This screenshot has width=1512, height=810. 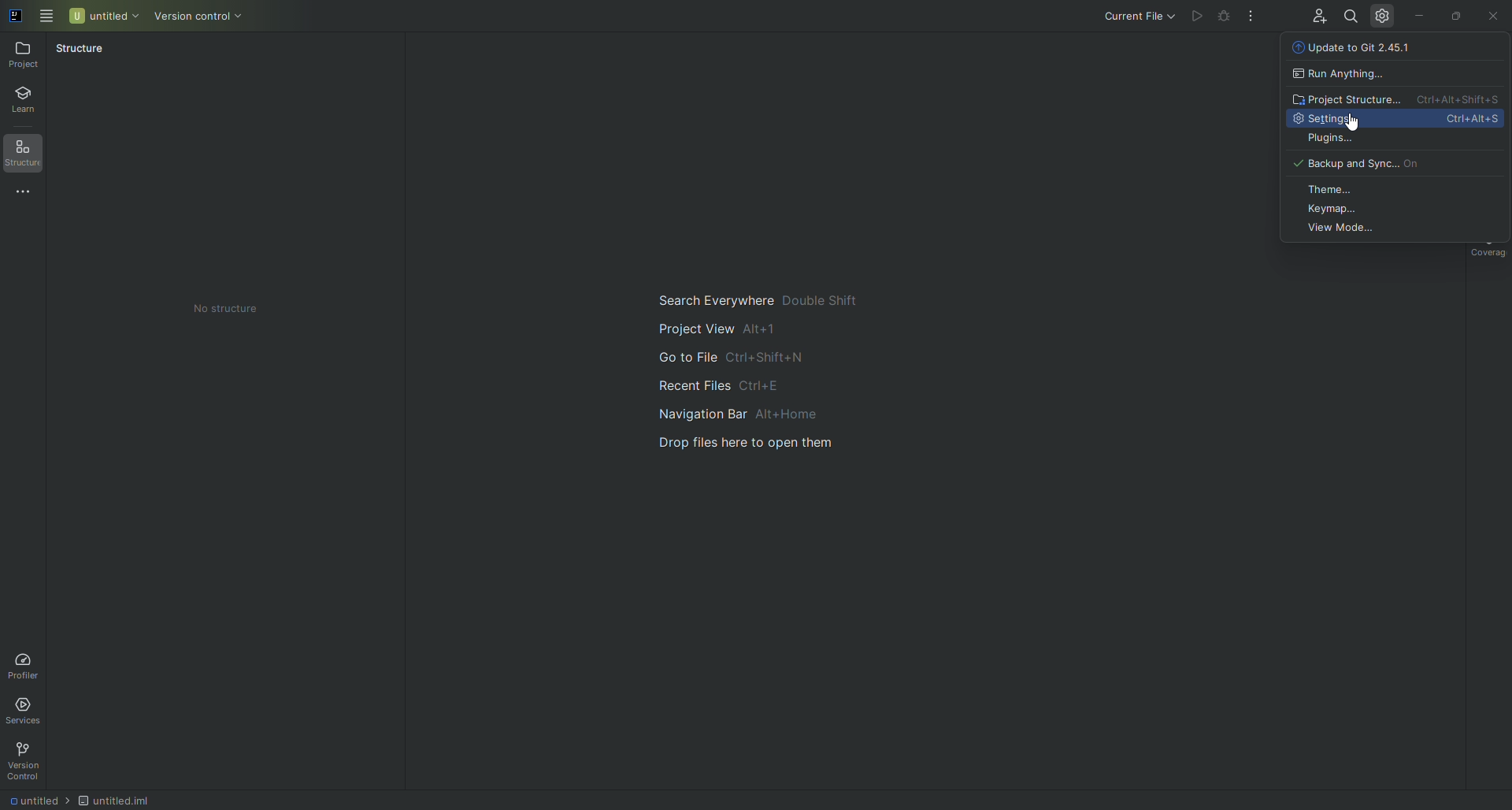 What do you see at coordinates (1196, 16) in the screenshot?
I see `Cannot run file` at bounding box center [1196, 16].